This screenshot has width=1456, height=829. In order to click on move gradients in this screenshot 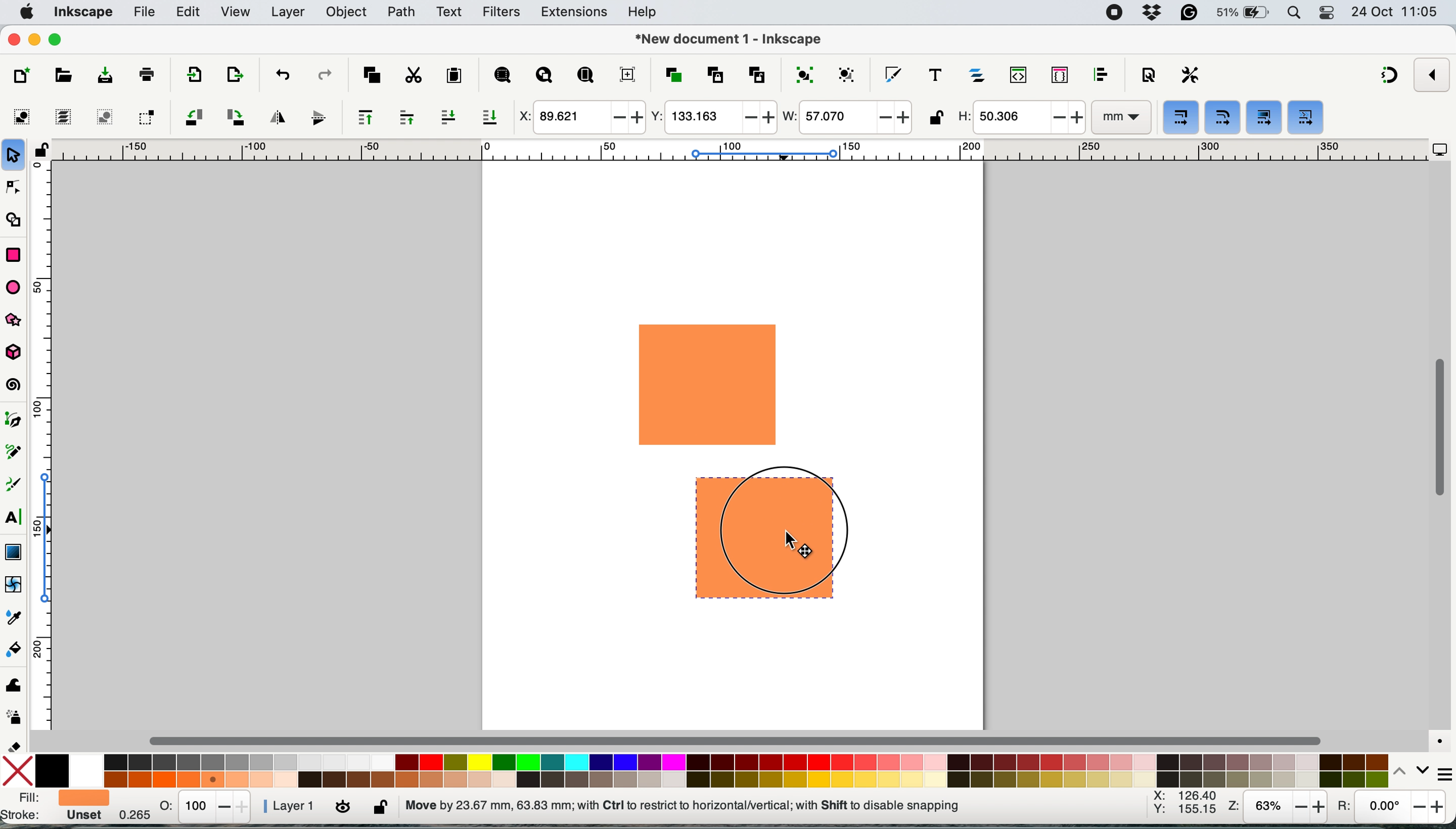, I will do `click(1265, 117)`.